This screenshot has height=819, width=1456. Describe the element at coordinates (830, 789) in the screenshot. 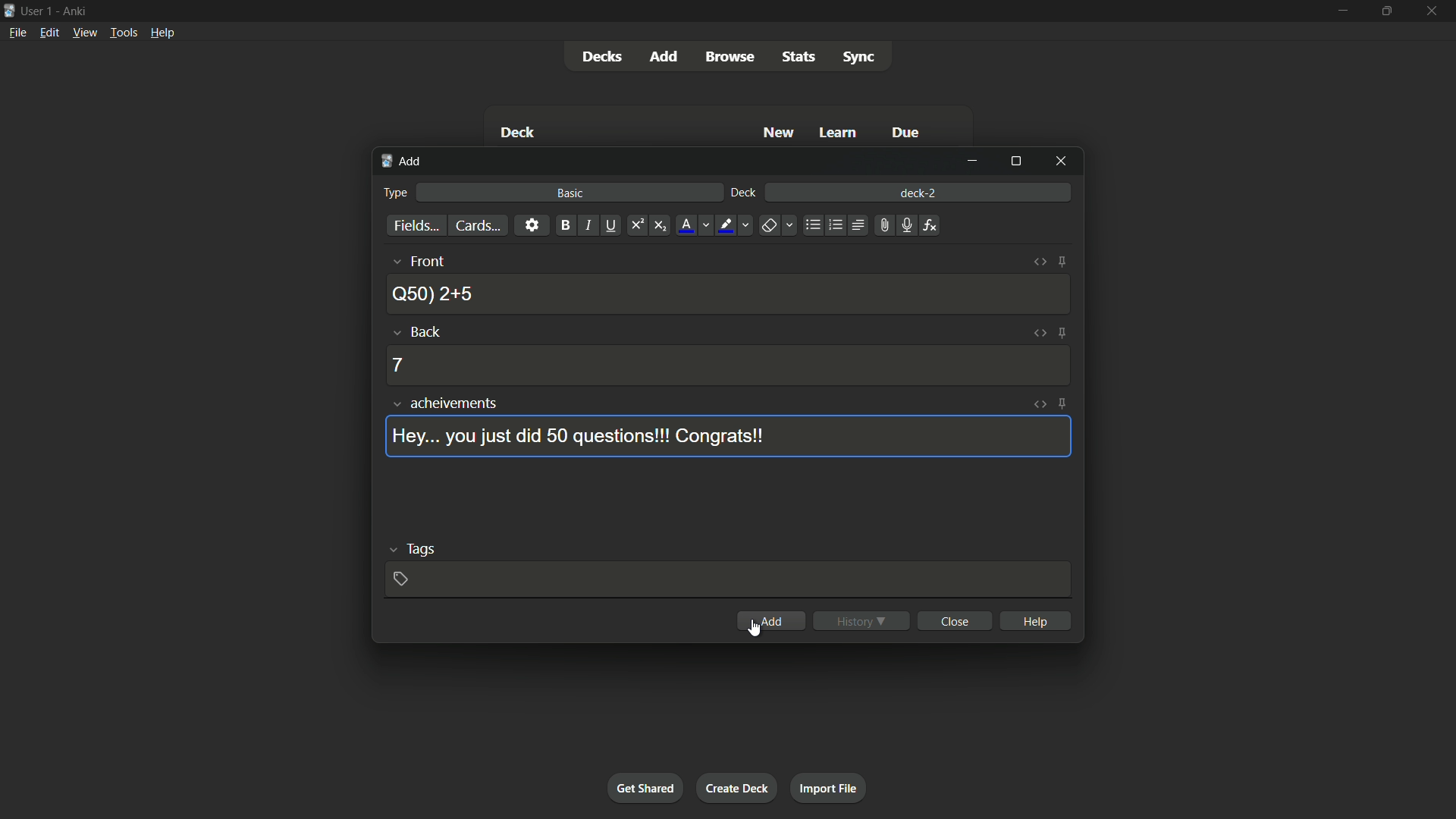

I see `import file` at that location.